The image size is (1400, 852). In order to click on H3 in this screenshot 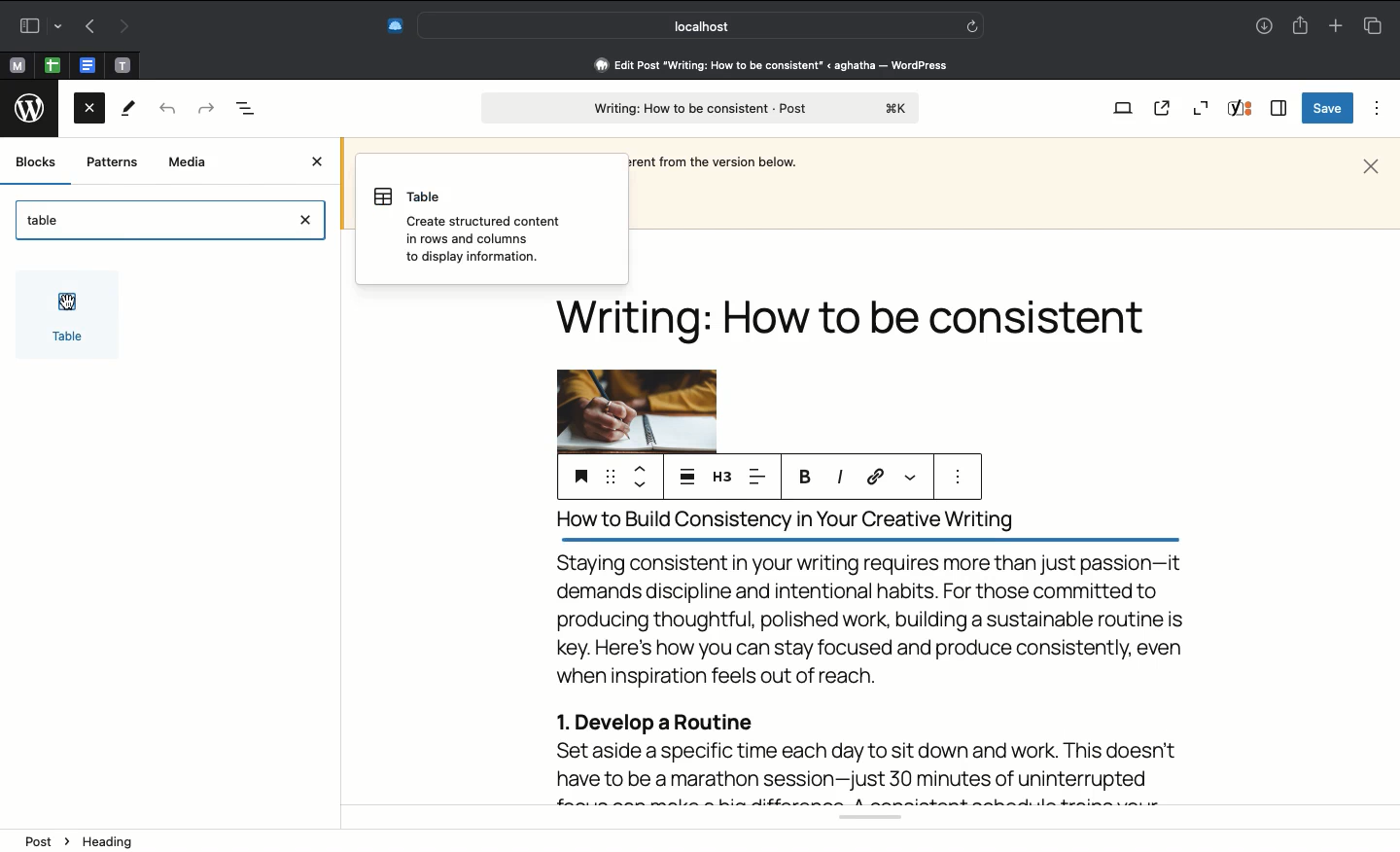, I will do `click(721, 476)`.